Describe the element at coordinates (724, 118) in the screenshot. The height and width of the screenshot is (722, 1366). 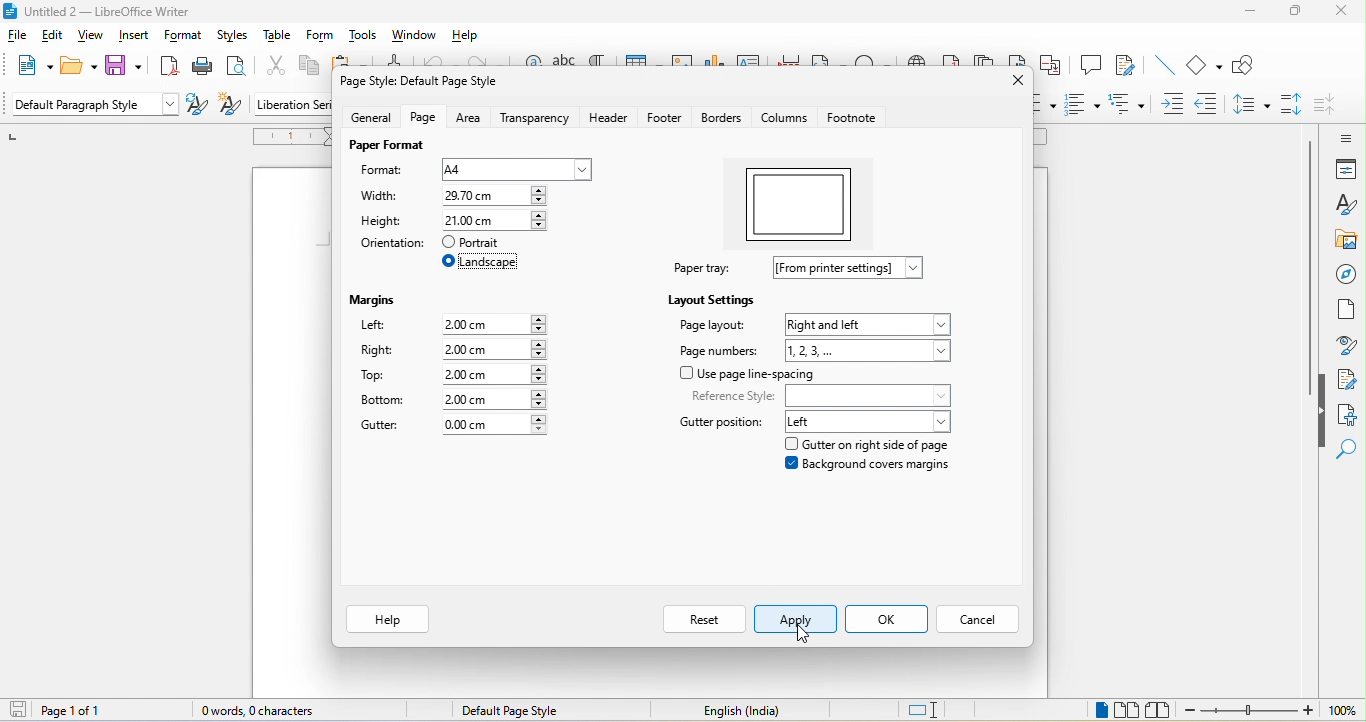
I see `borders` at that location.